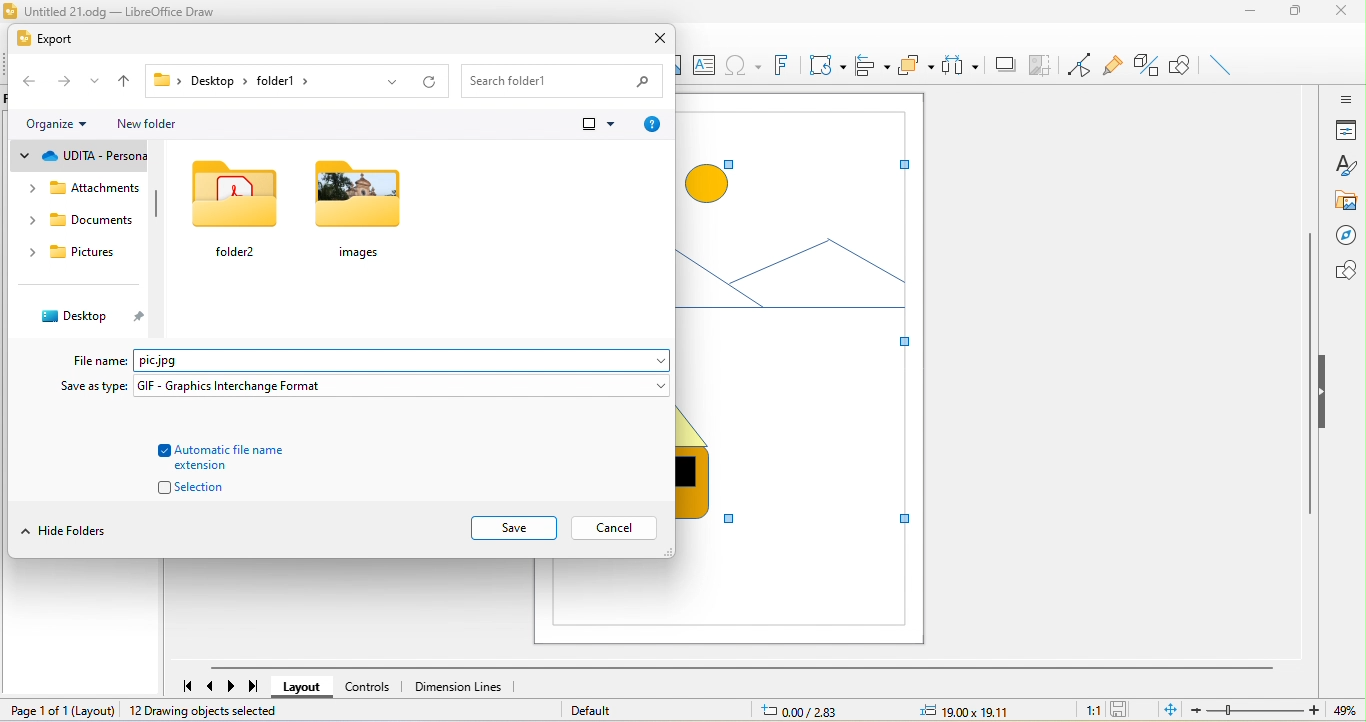  I want to click on shadow, so click(1005, 65).